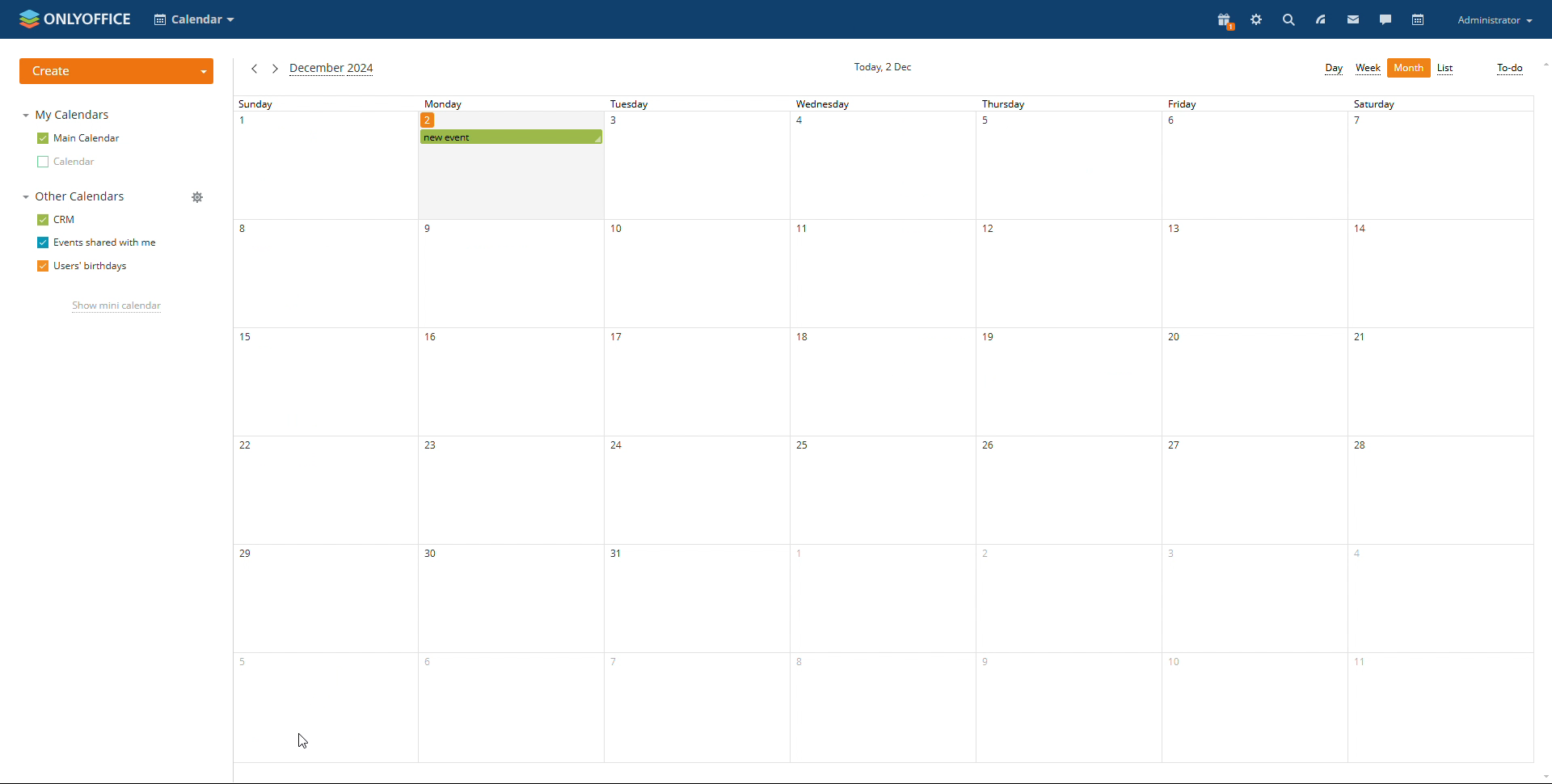 This screenshot has width=1552, height=784. What do you see at coordinates (1542, 778) in the screenshot?
I see `scroll down` at bounding box center [1542, 778].